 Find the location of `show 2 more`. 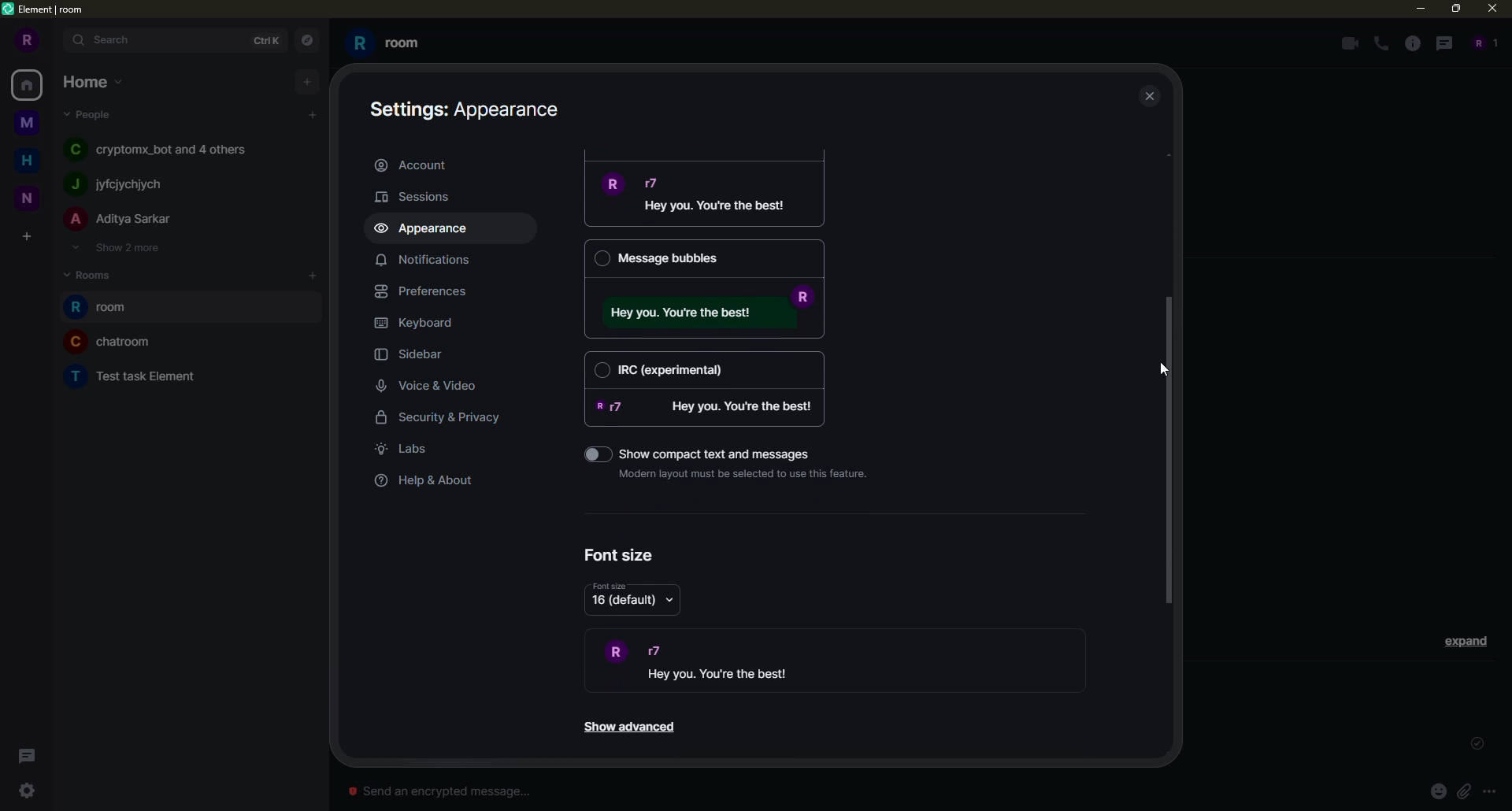

show 2 more is located at coordinates (115, 247).